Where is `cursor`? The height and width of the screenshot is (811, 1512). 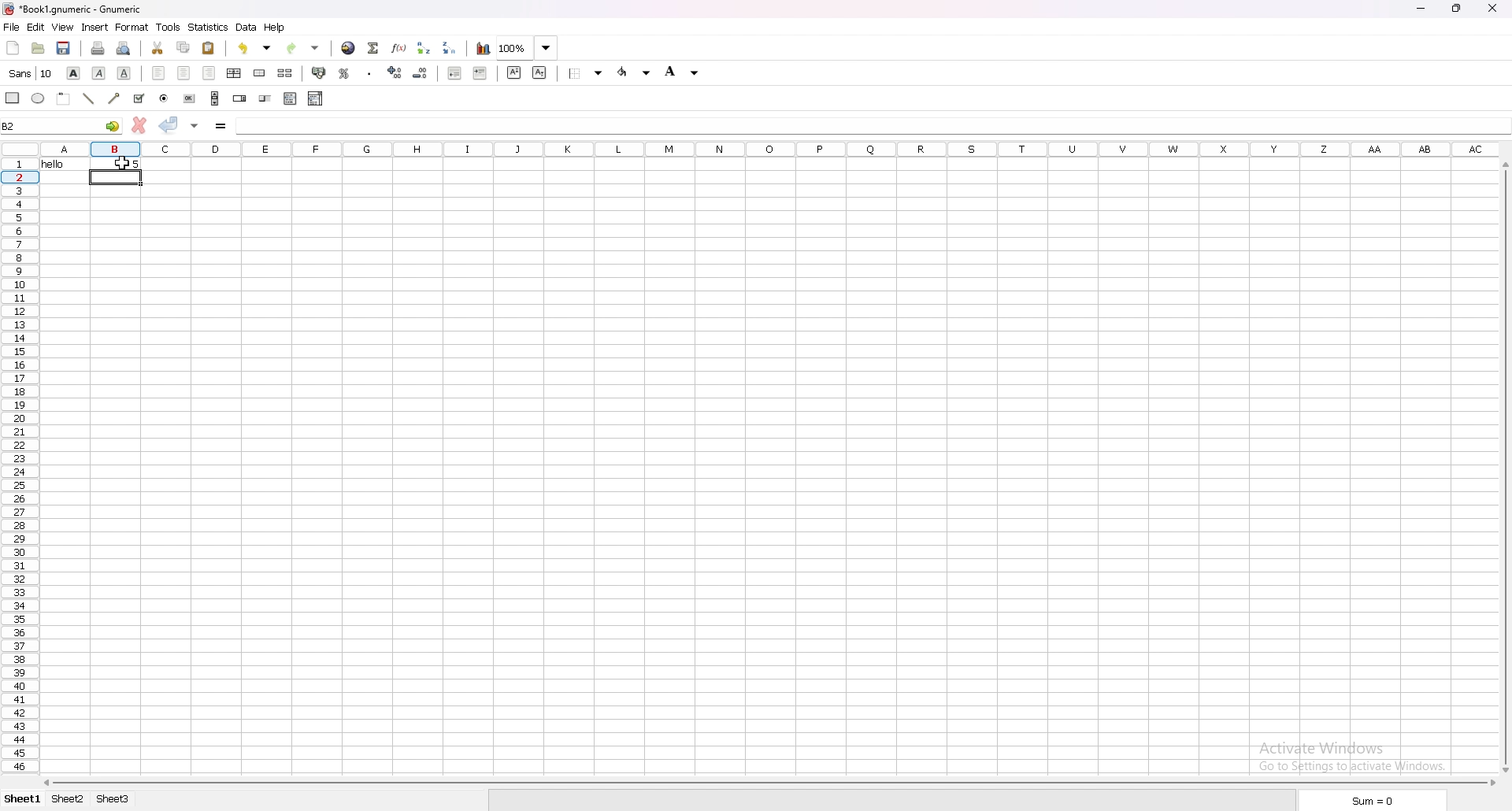 cursor is located at coordinates (122, 165).